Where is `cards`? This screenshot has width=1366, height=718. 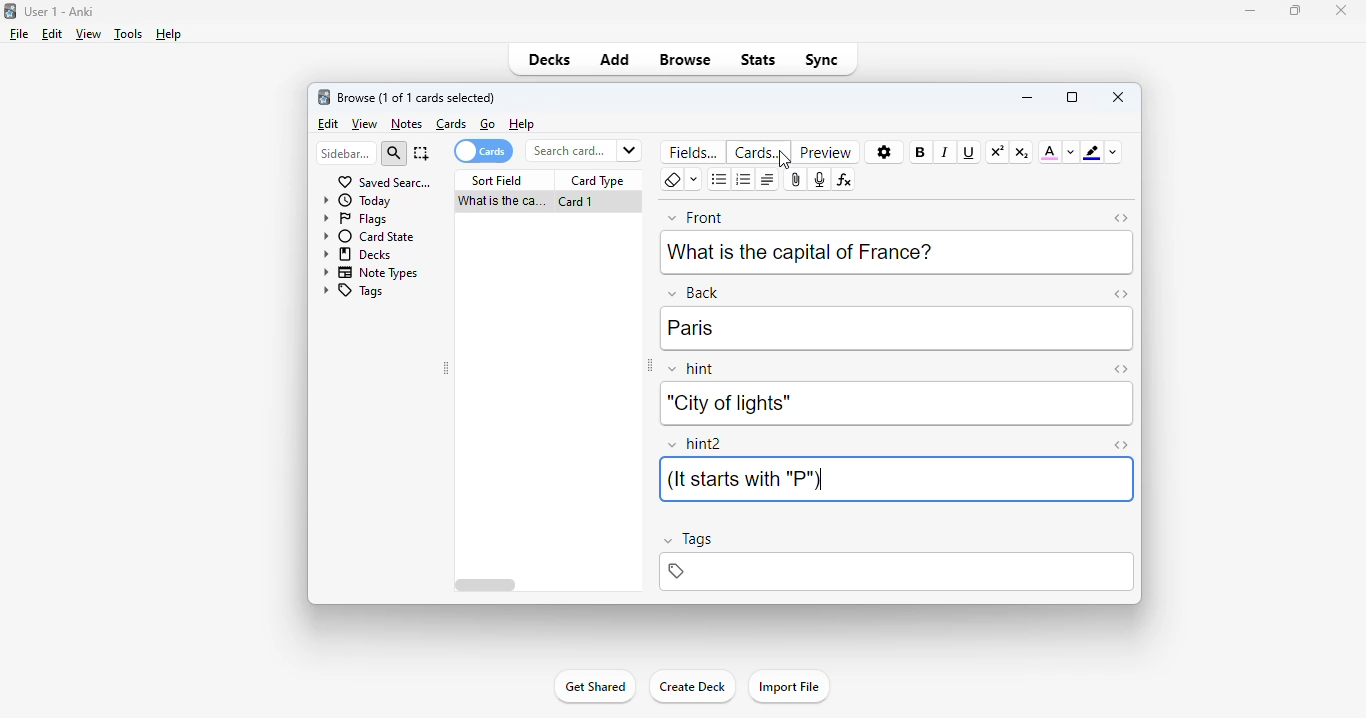
cards is located at coordinates (452, 124).